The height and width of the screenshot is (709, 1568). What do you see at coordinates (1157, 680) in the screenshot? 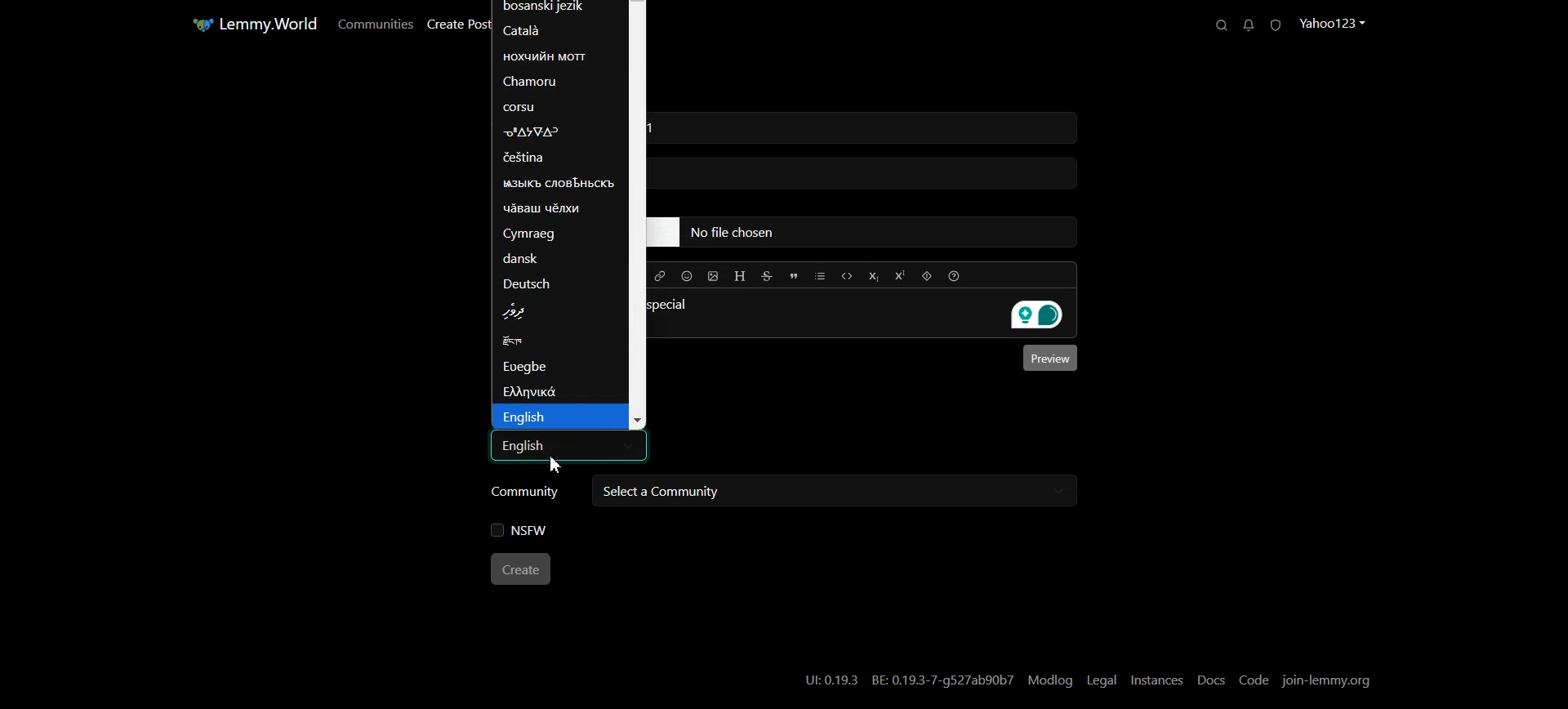
I see `Instances` at bounding box center [1157, 680].